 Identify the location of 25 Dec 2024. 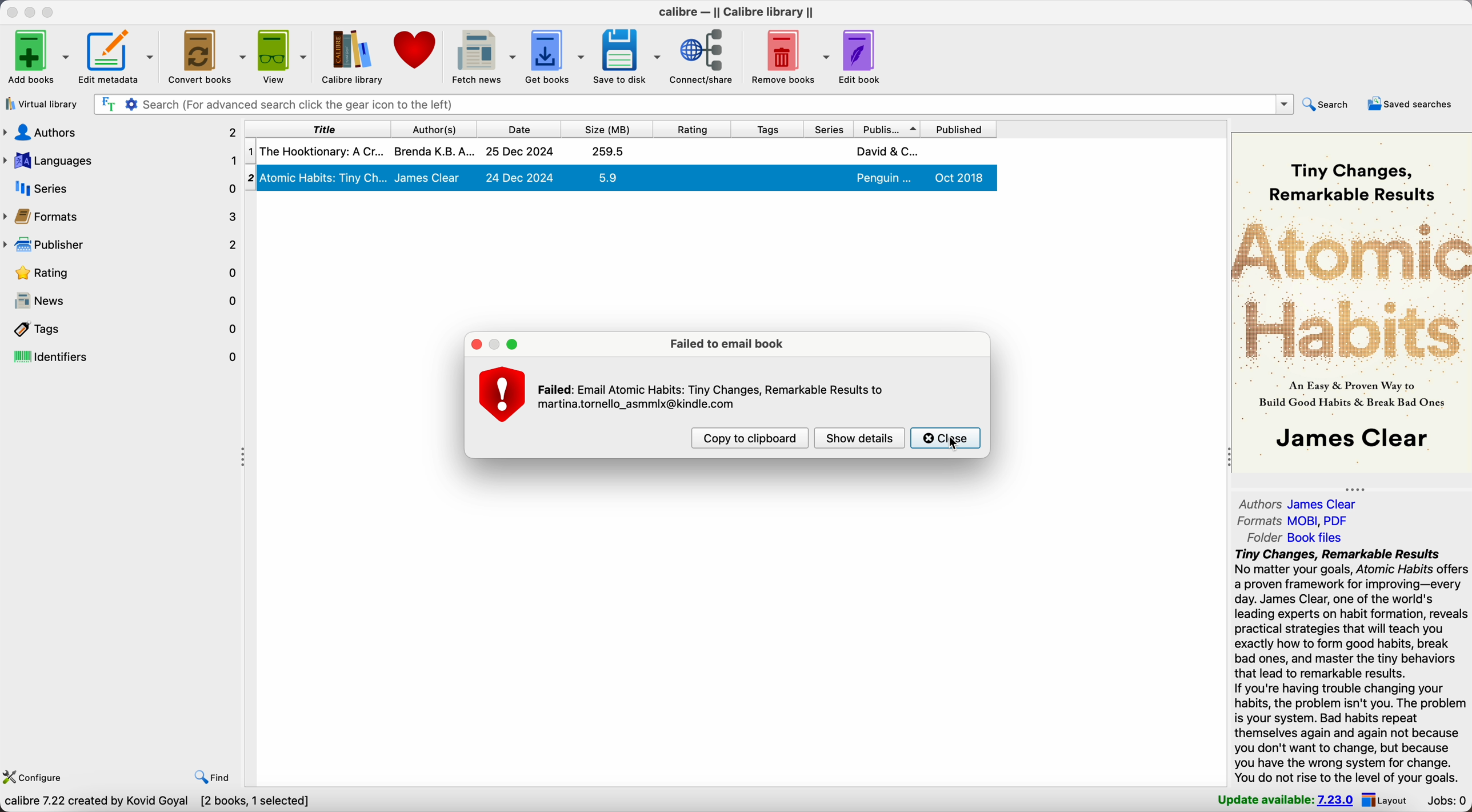
(520, 152).